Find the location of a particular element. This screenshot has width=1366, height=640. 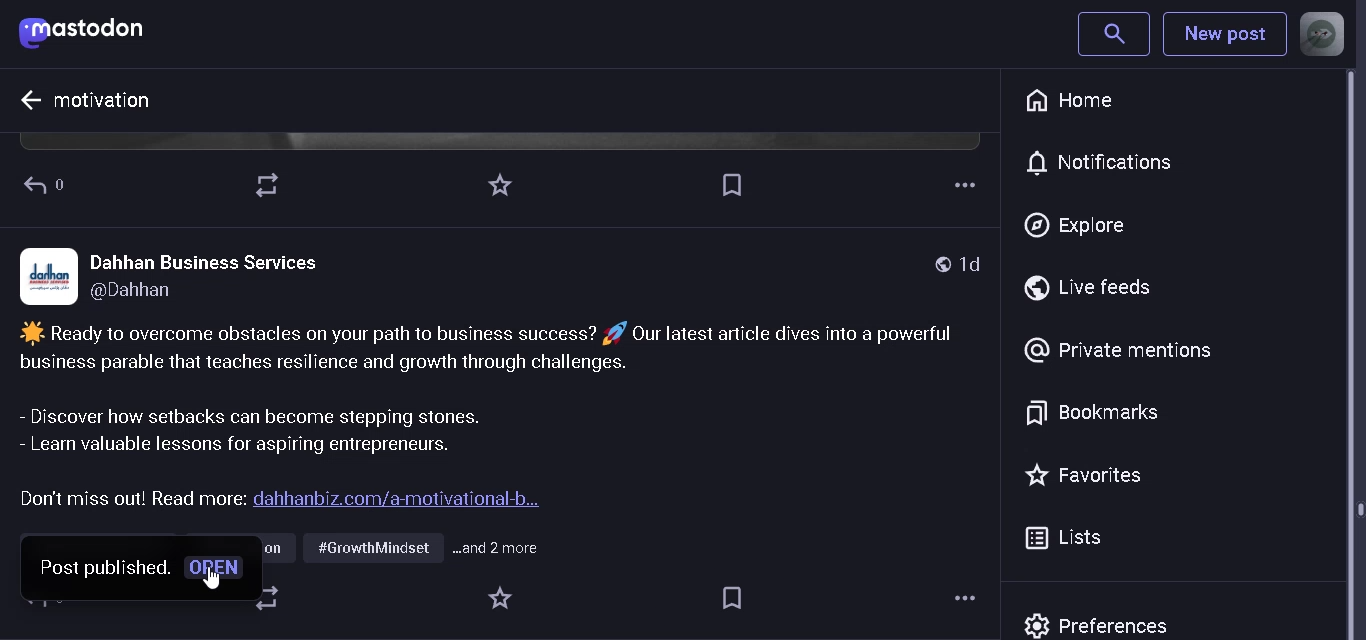

motivation is located at coordinates (104, 99).